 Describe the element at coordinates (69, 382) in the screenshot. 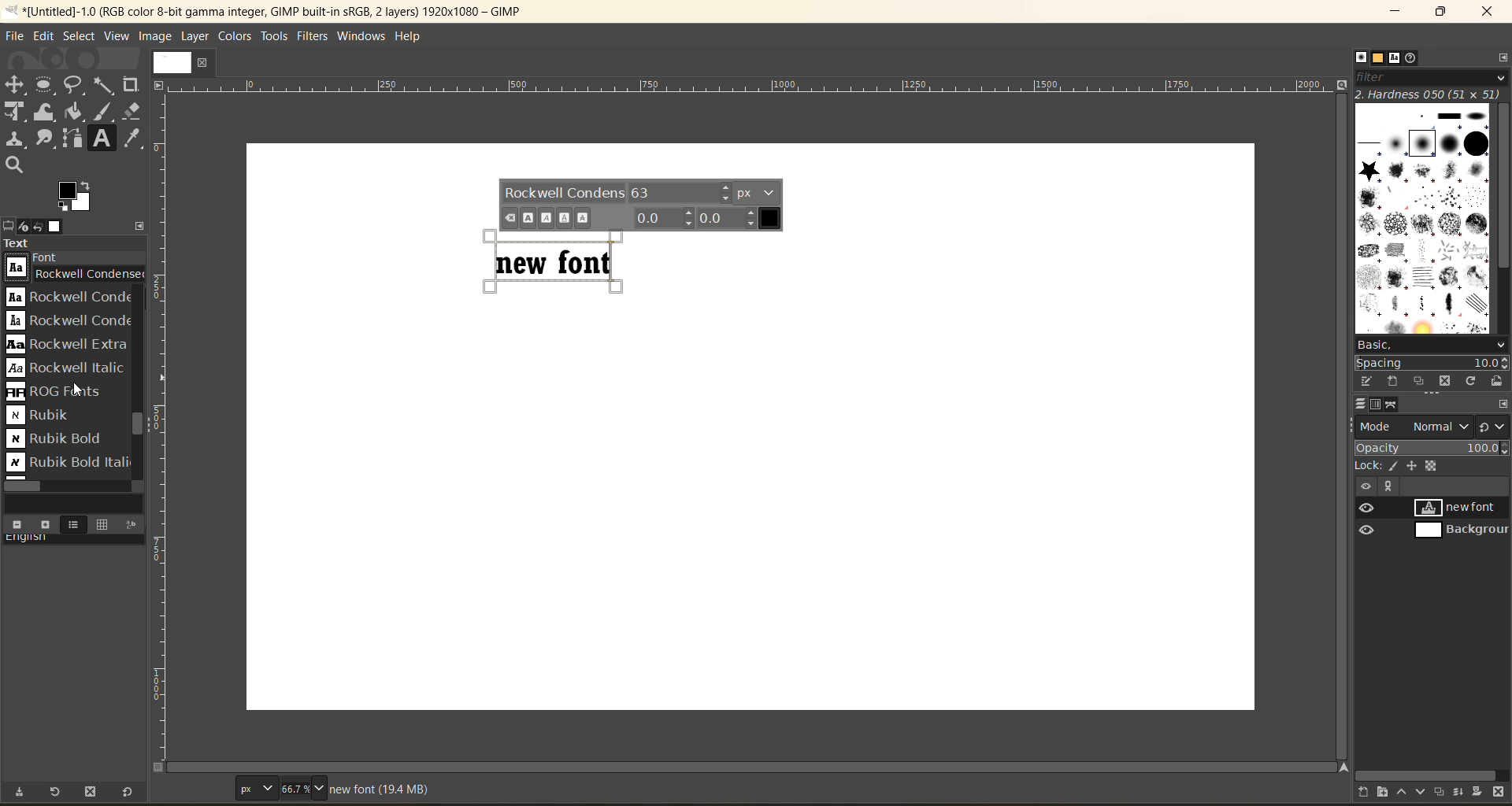

I see `font styles` at that location.